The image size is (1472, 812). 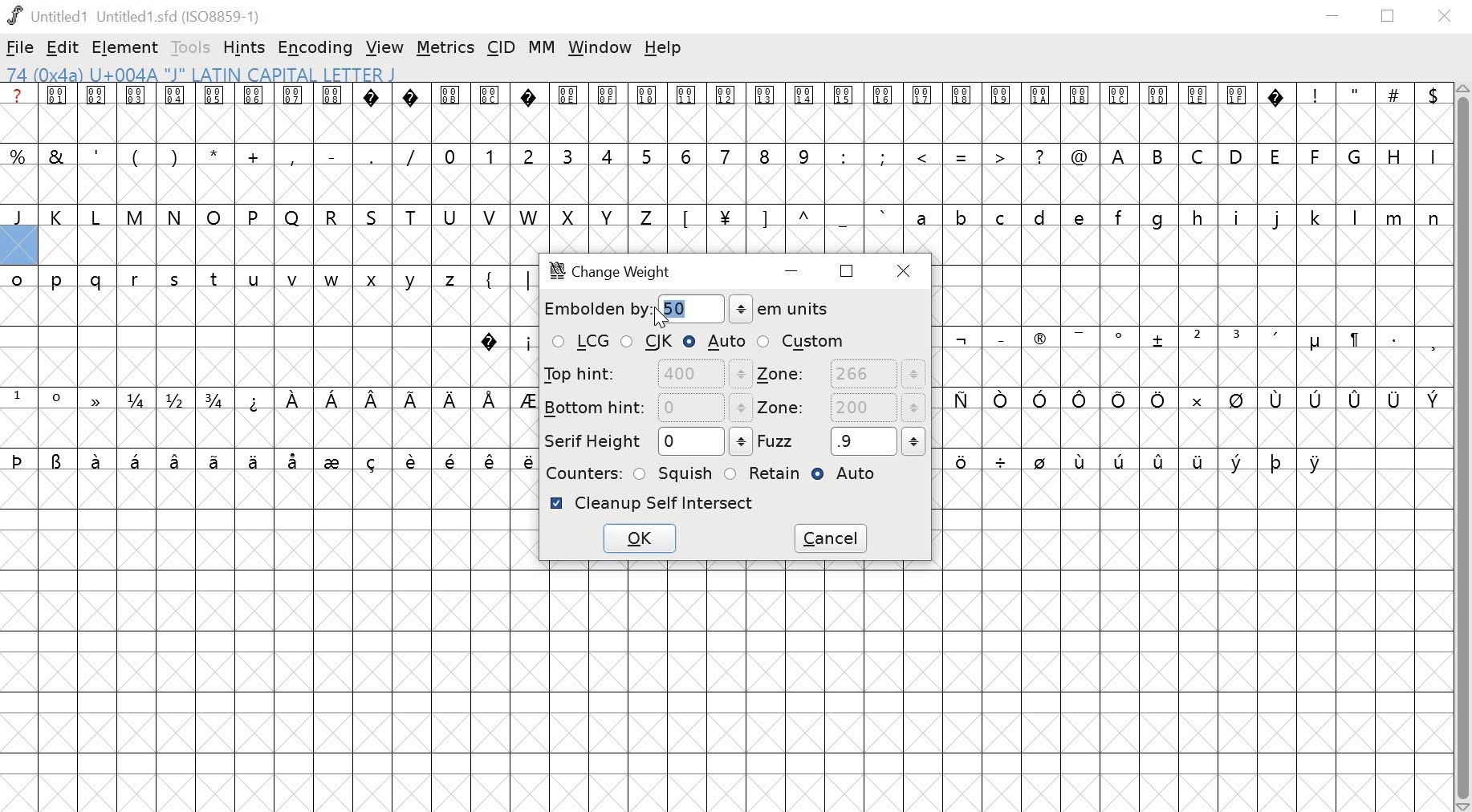 What do you see at coordinates (270, 460) in the screenshot?
I see `symbols` at bounding box center [270, 460].